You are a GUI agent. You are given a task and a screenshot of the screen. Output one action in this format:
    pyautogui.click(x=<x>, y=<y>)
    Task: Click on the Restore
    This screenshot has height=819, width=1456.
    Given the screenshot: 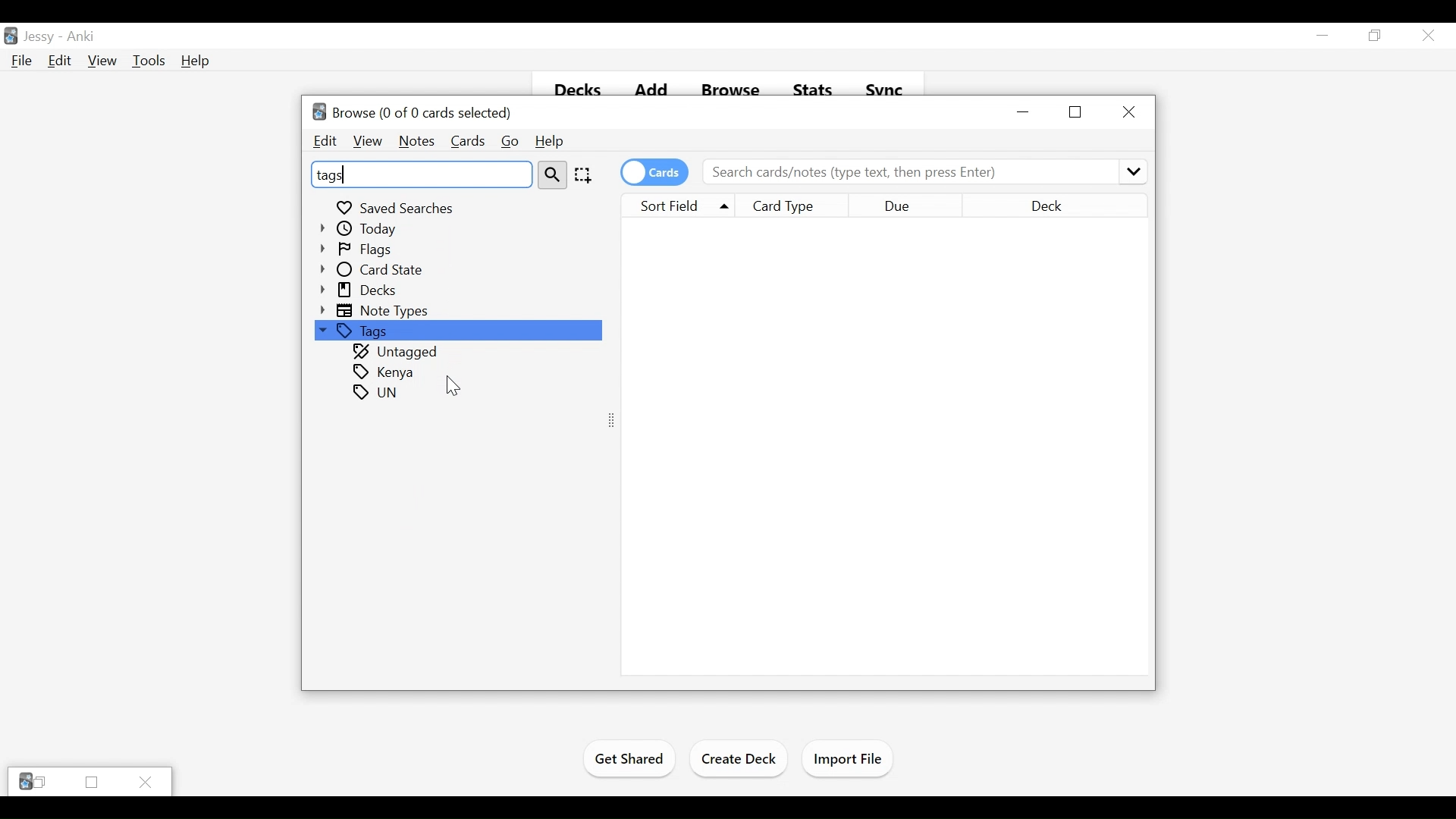 What is the action you would take?
    pyautogui.click(x=1373, y=36)
    